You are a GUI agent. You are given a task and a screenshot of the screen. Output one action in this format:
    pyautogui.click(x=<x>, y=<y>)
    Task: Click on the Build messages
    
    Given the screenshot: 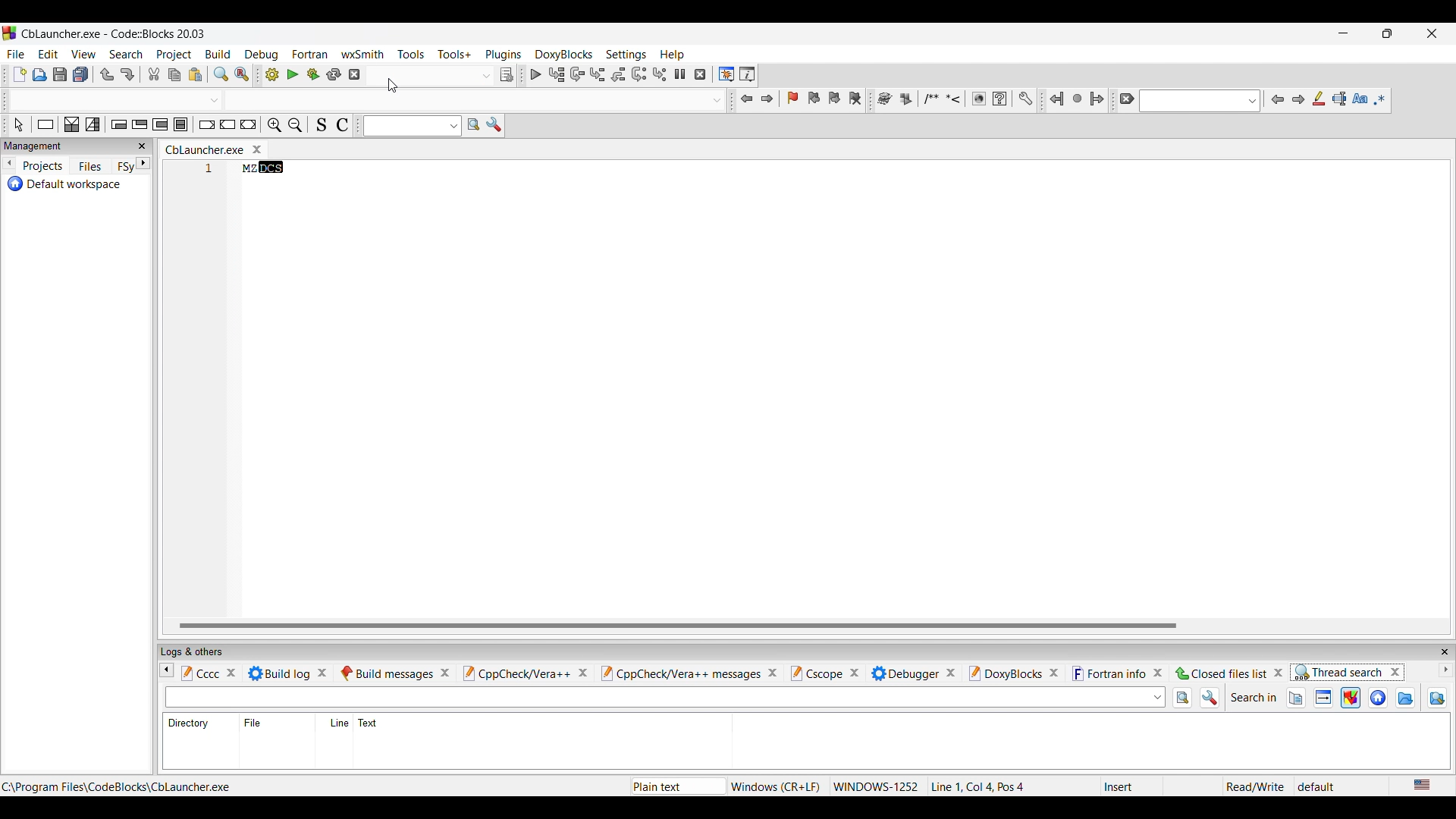 What is the action you would take?
    pyautogui.click(x=386, y=673)
    